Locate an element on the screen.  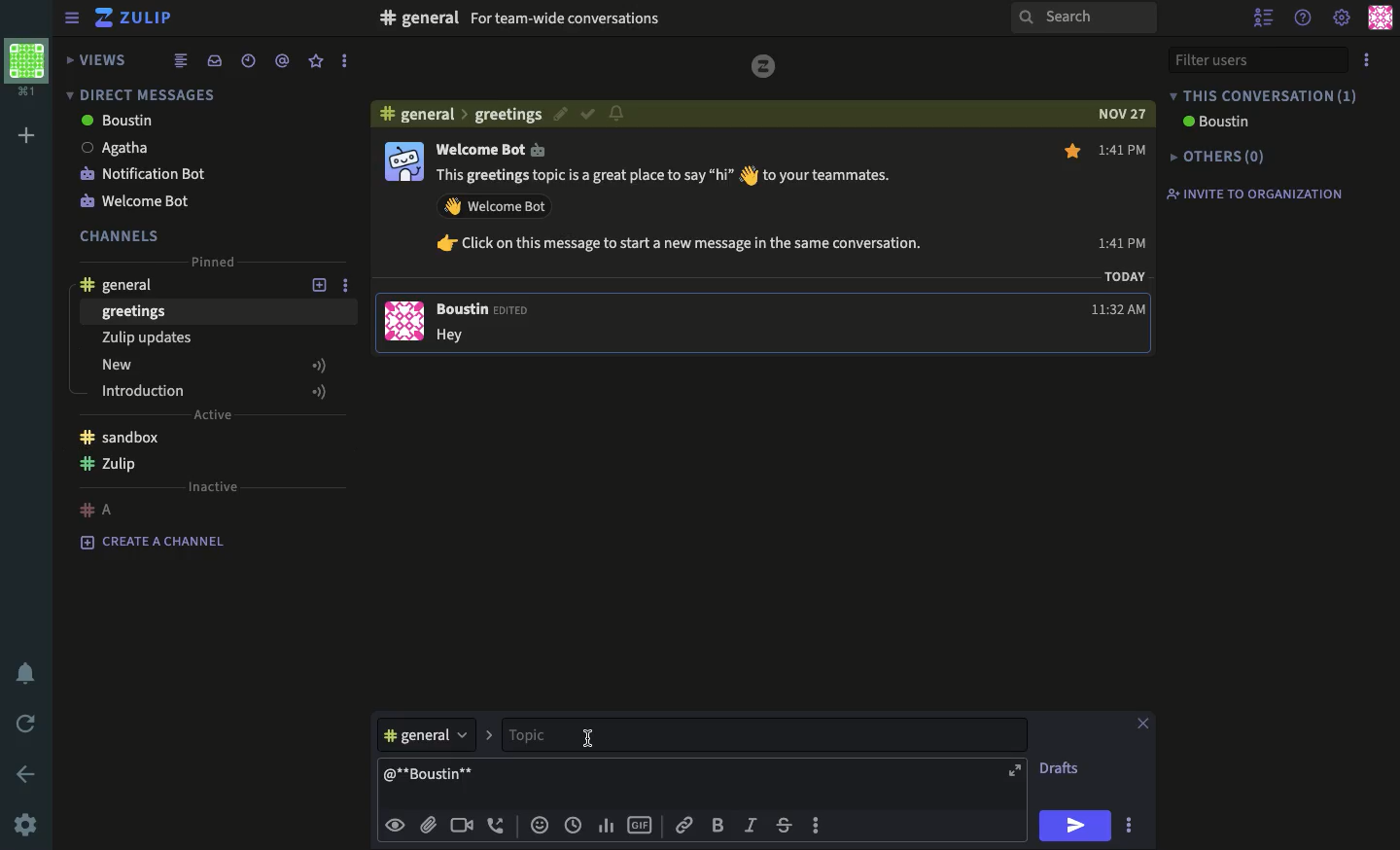
1:41 PM is located at coordinates (1124, 195).